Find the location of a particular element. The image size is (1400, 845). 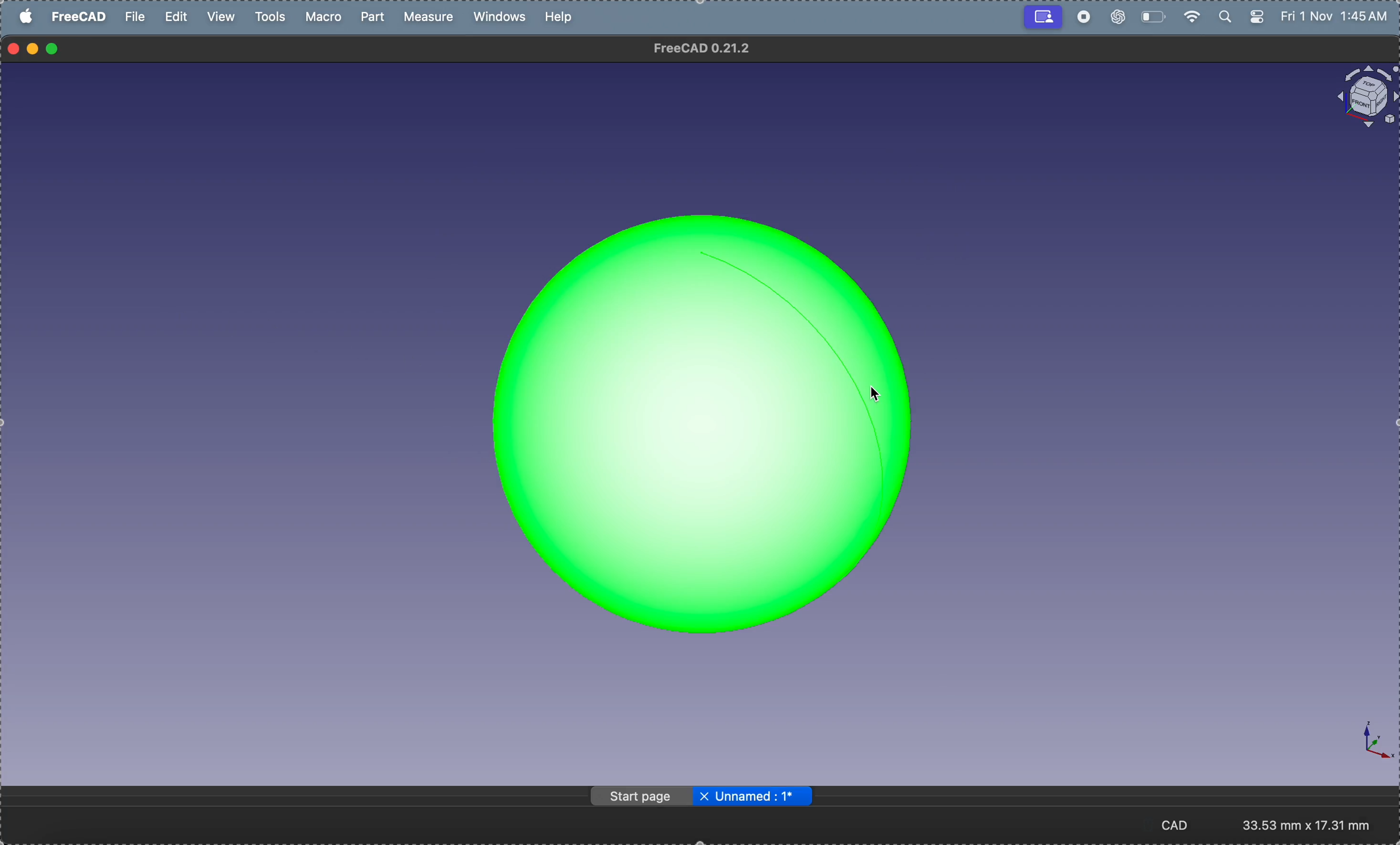

apple widgets is located at coordinates (1239, 17).